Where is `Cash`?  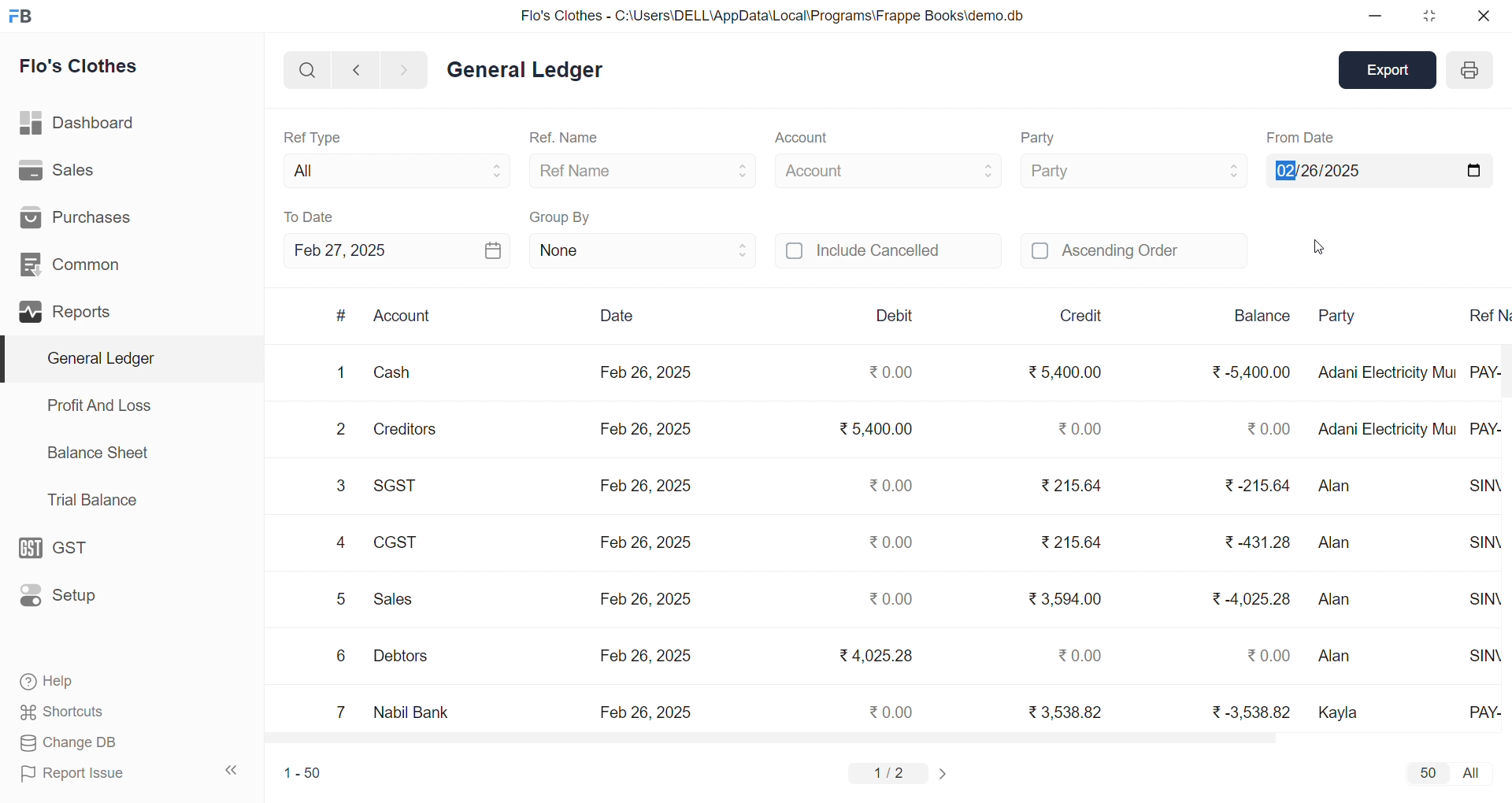 Cash is located at coordinates (402, 370).